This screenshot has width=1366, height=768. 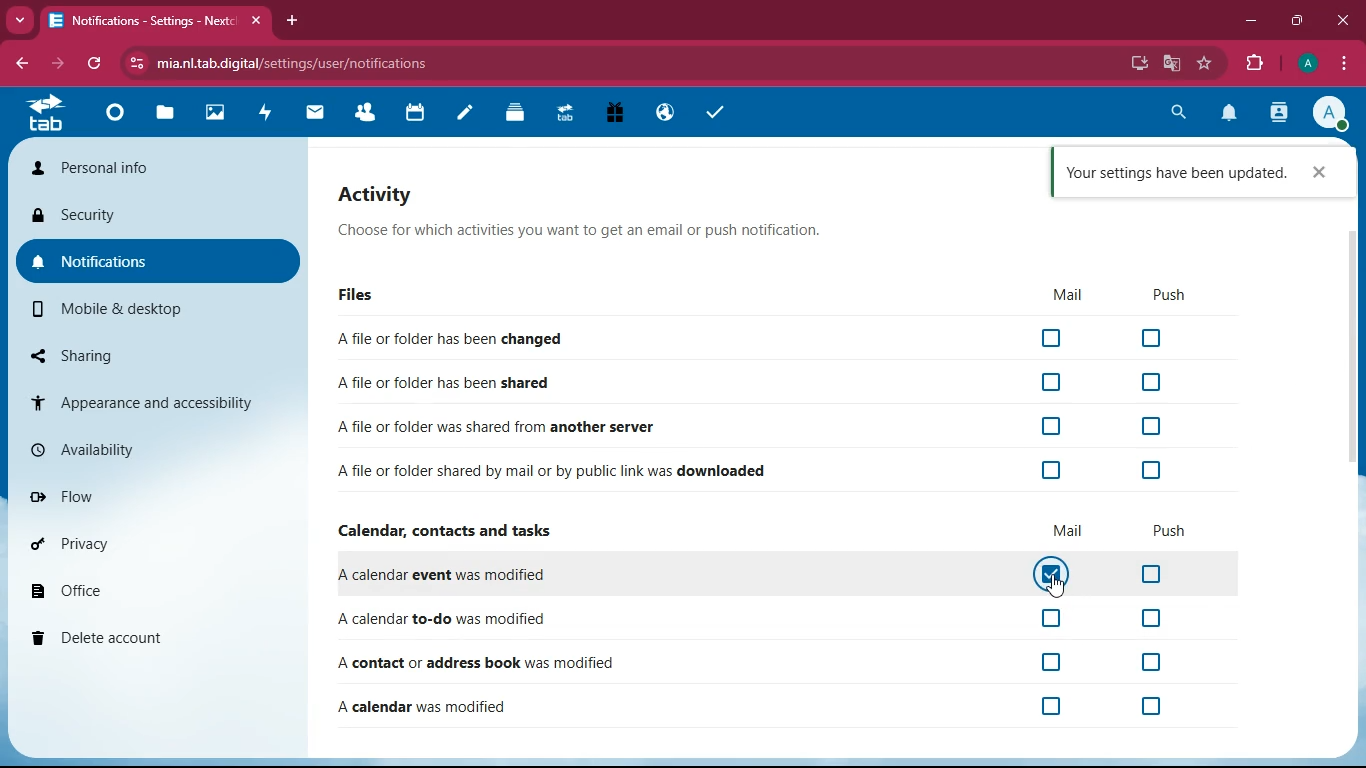 I want to click on A file or folder has been shared, so click(x=756, y=384).